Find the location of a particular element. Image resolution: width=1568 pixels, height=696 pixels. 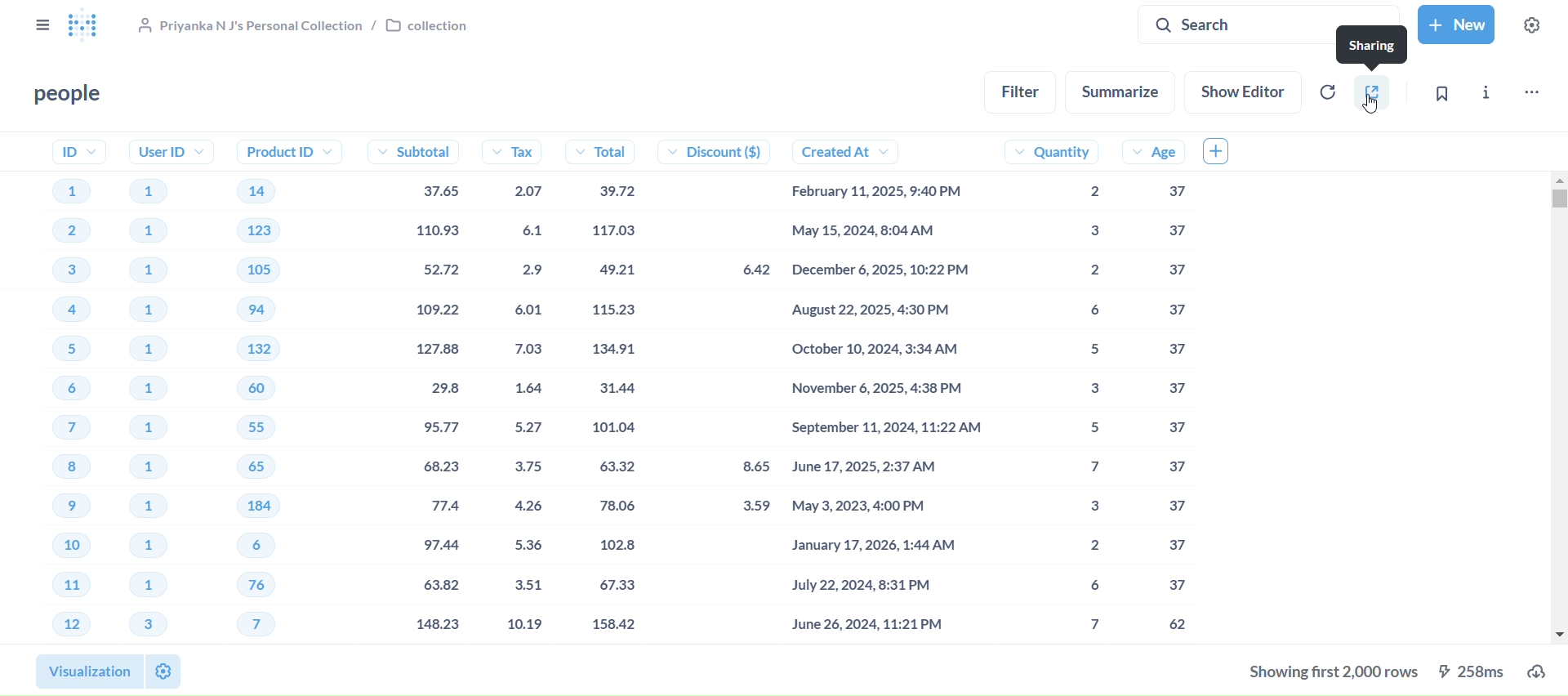

add column is located at coordinates (1227, 151).